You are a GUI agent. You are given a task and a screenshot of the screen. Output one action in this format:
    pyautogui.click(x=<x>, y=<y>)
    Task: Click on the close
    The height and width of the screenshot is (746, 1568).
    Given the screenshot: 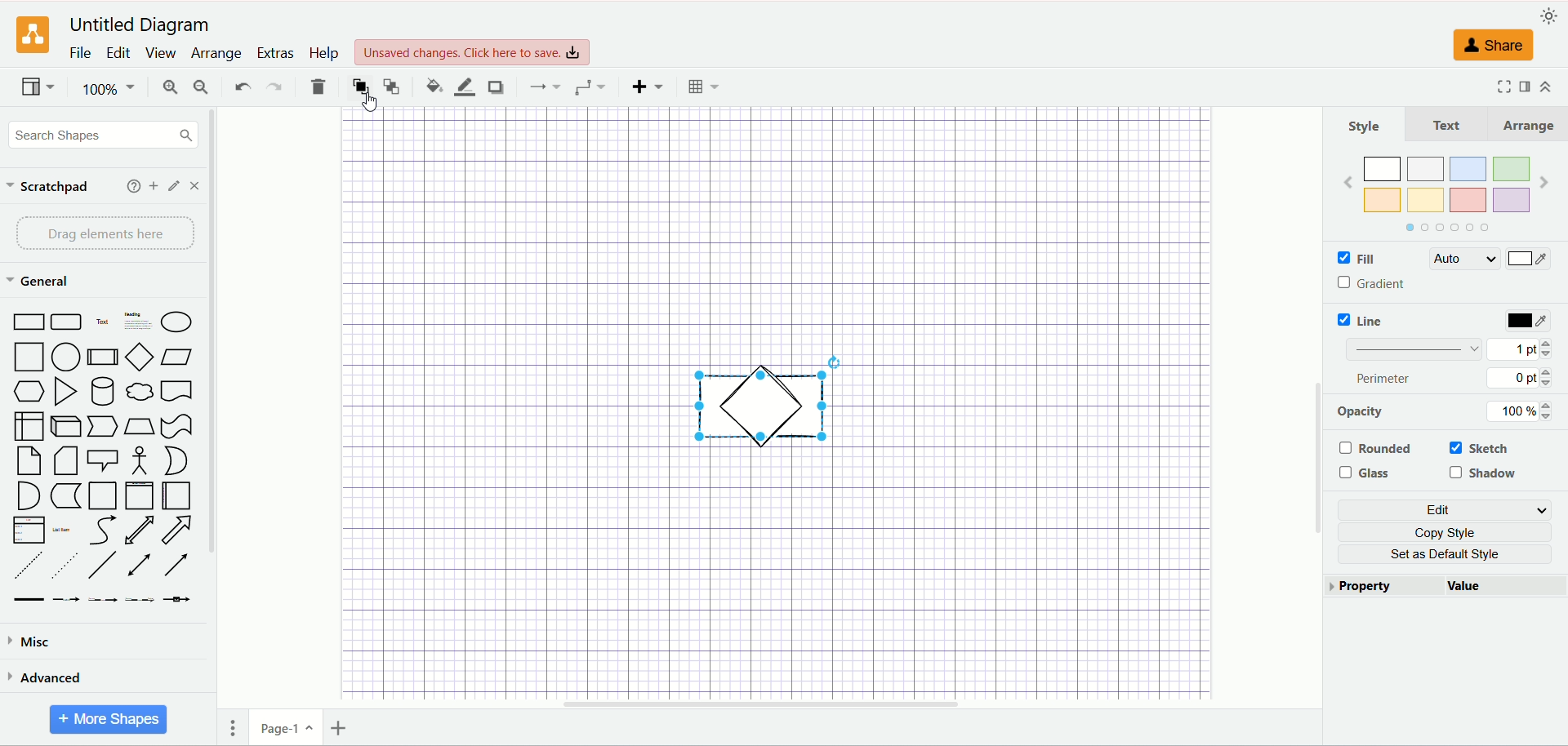 What is the action you would take?
    pyautogui.click(x=194, y=184)
    